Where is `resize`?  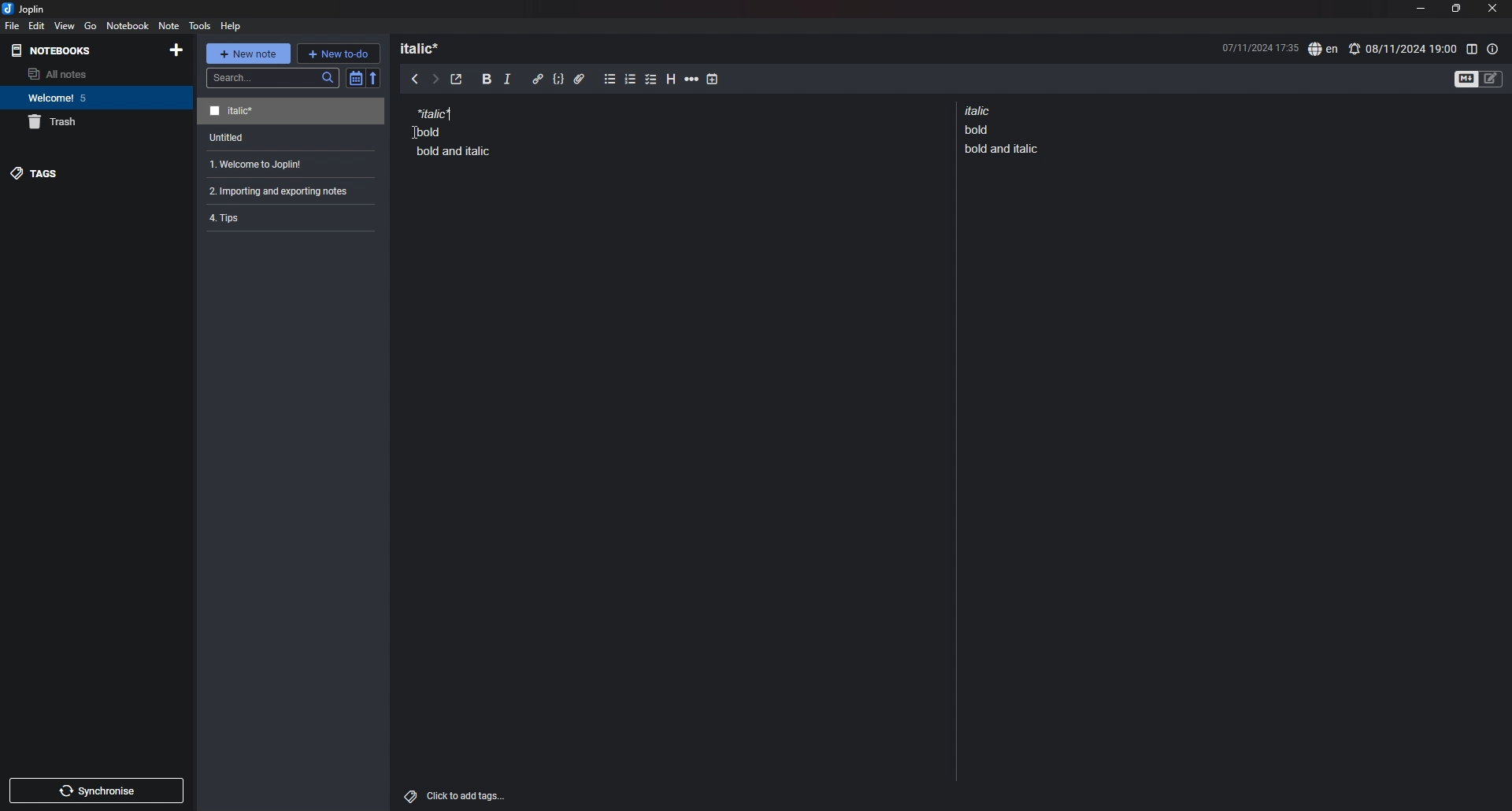
resize is located at coordinates (1455, 9).